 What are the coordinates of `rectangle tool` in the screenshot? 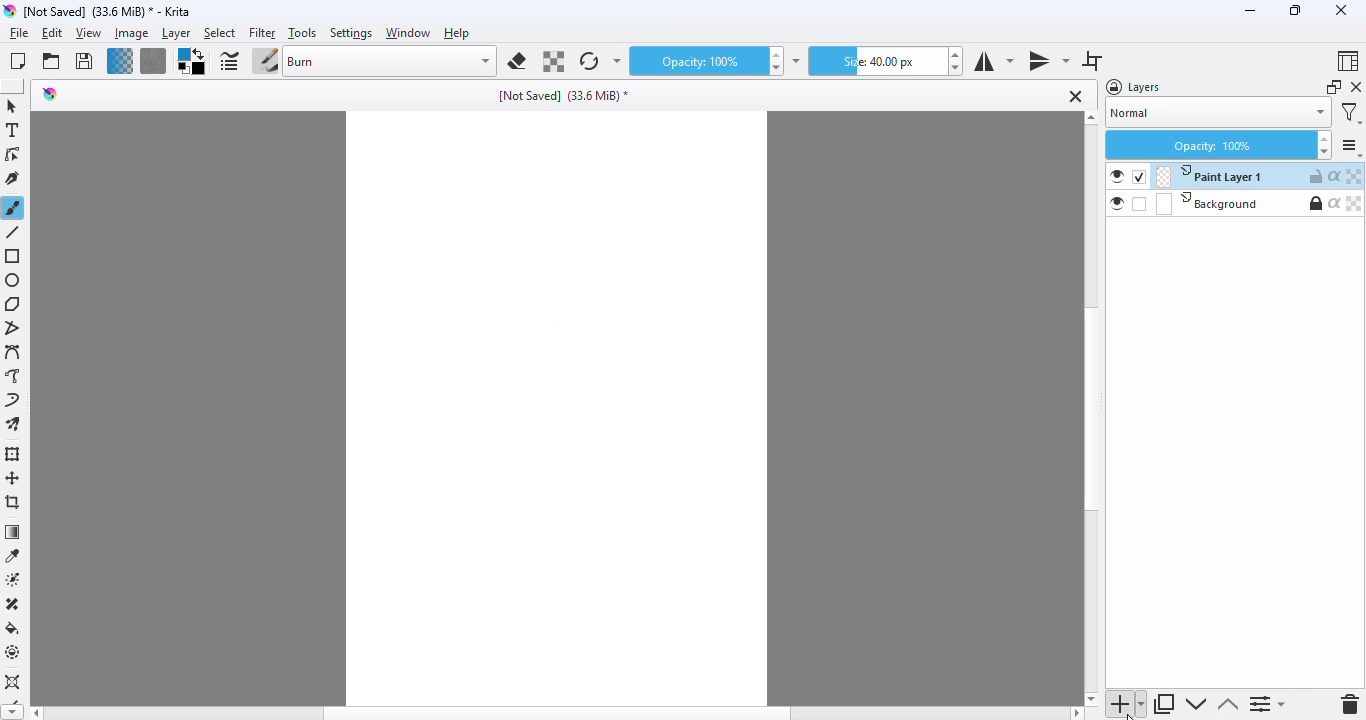 It's located at (14, 257).